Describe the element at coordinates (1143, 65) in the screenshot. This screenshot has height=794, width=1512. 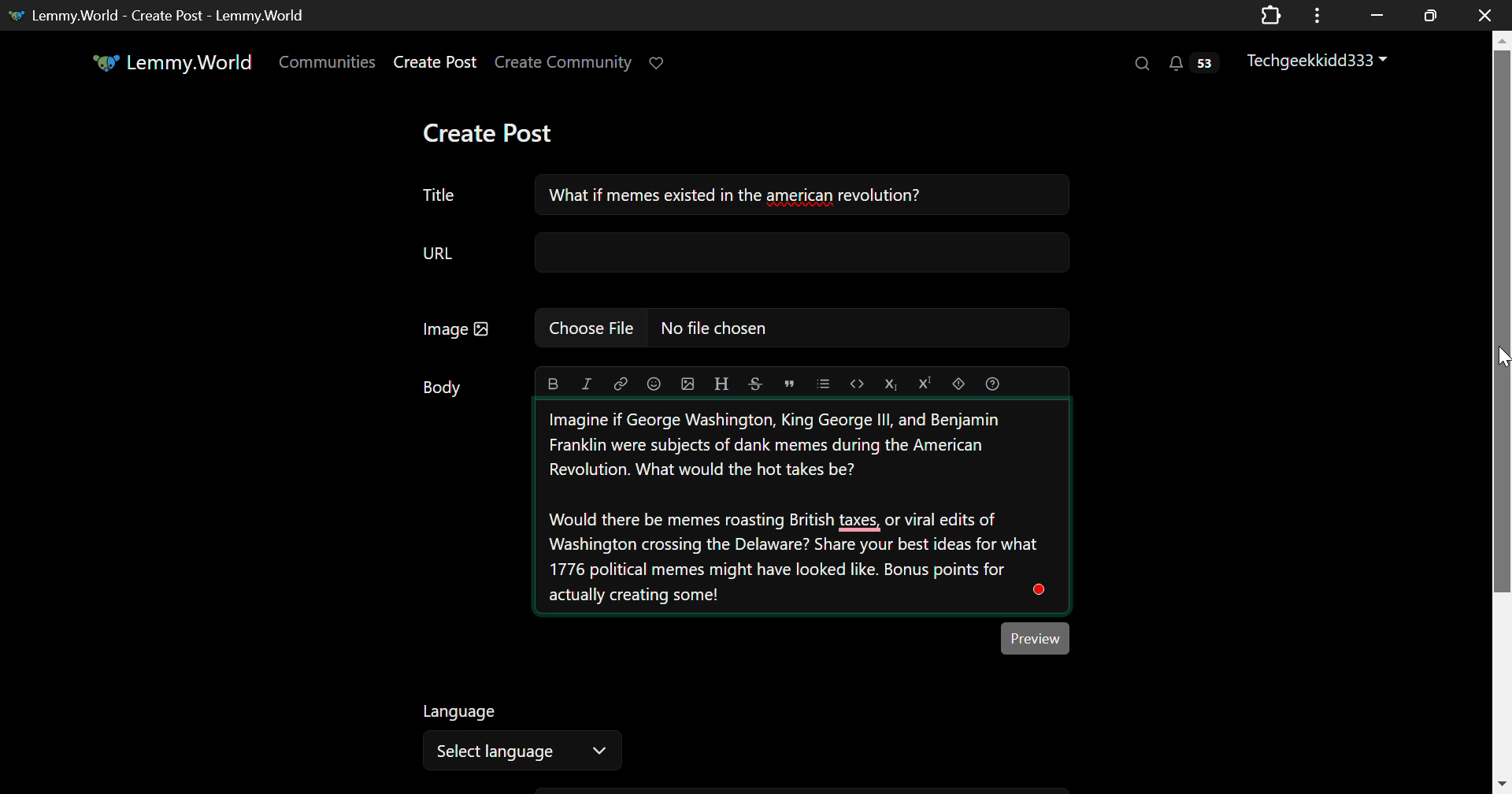
I see `Search` at that location.